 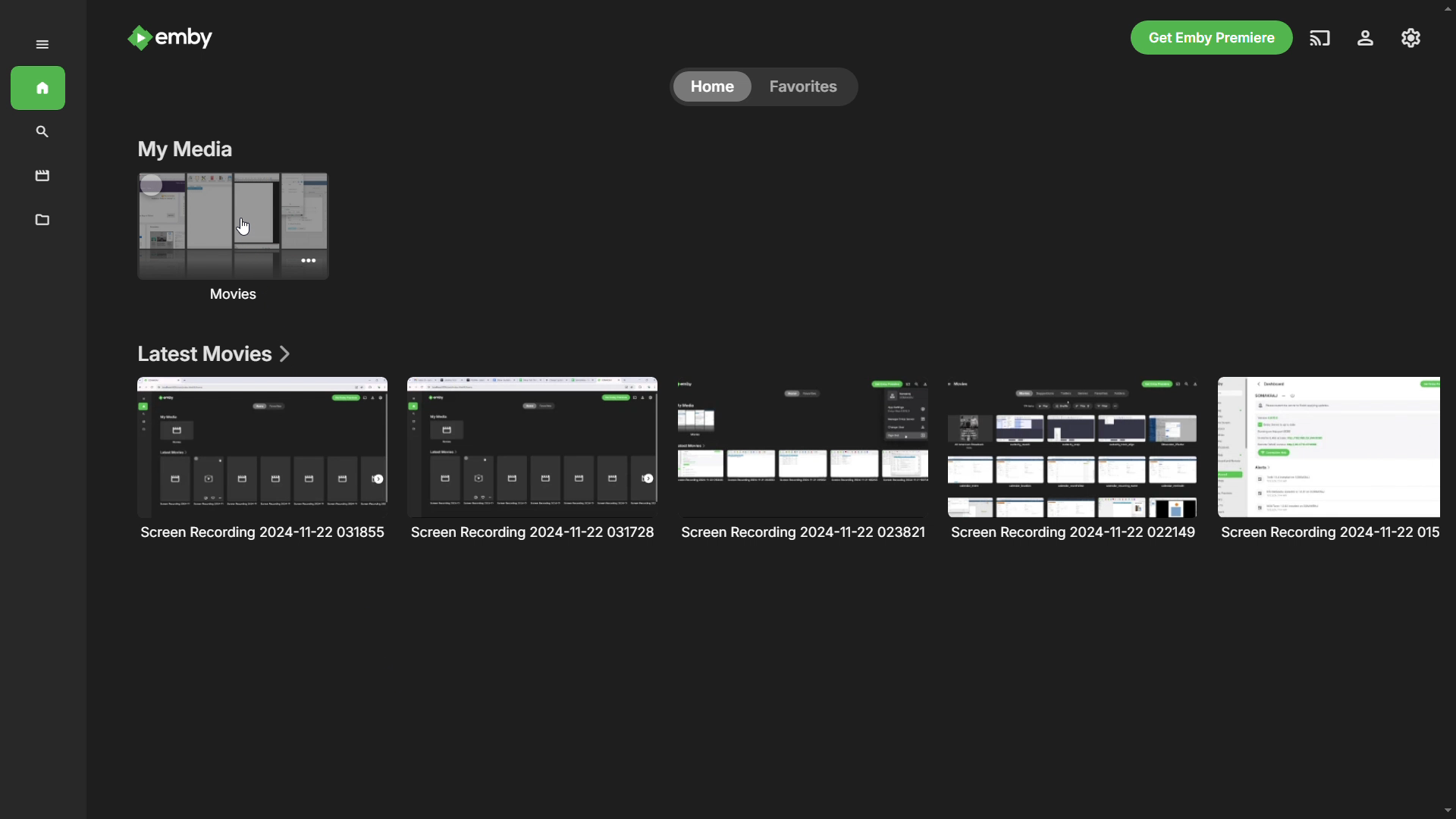 I want to click on movies, so click(x=233, y=294).